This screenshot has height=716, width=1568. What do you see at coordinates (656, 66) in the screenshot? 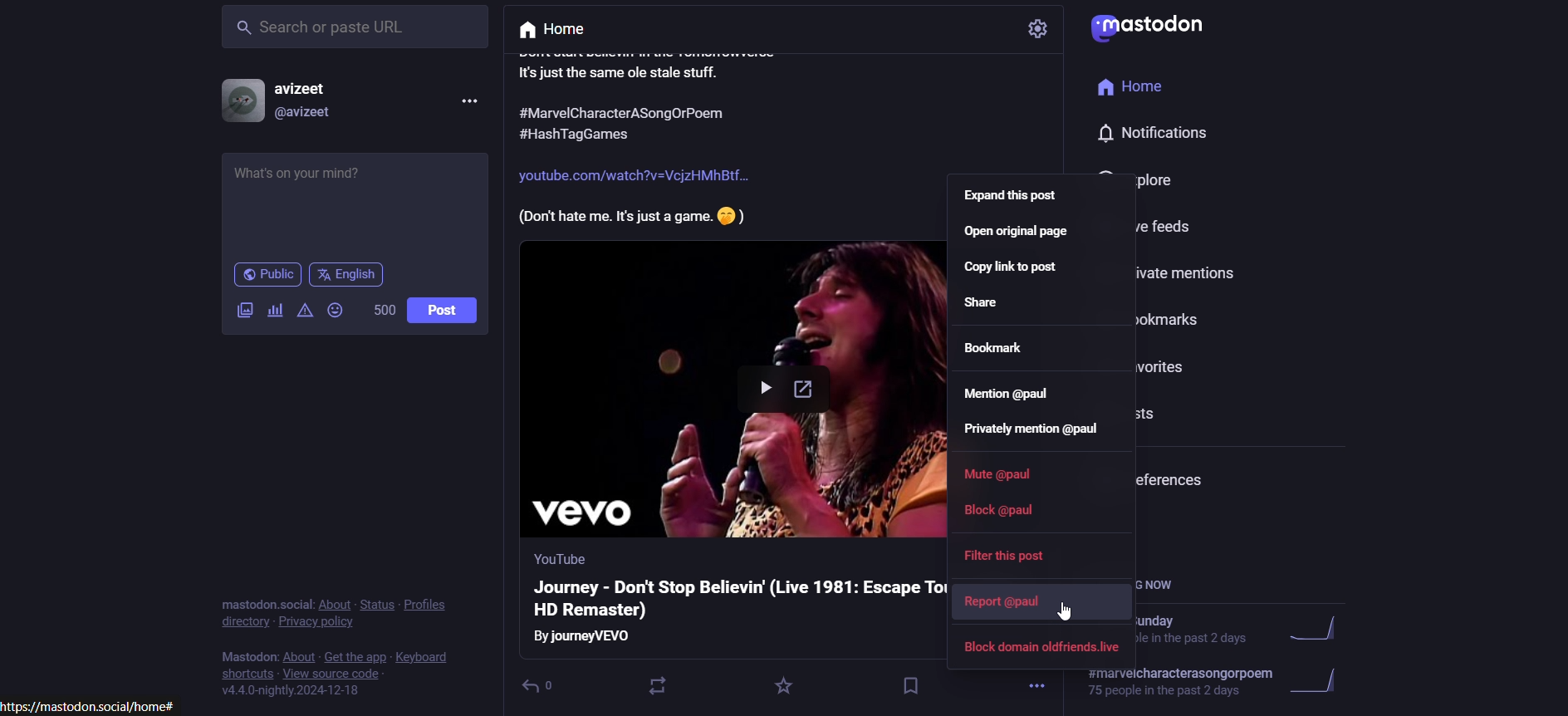
I see `post text` at bounding box center [656, 66].